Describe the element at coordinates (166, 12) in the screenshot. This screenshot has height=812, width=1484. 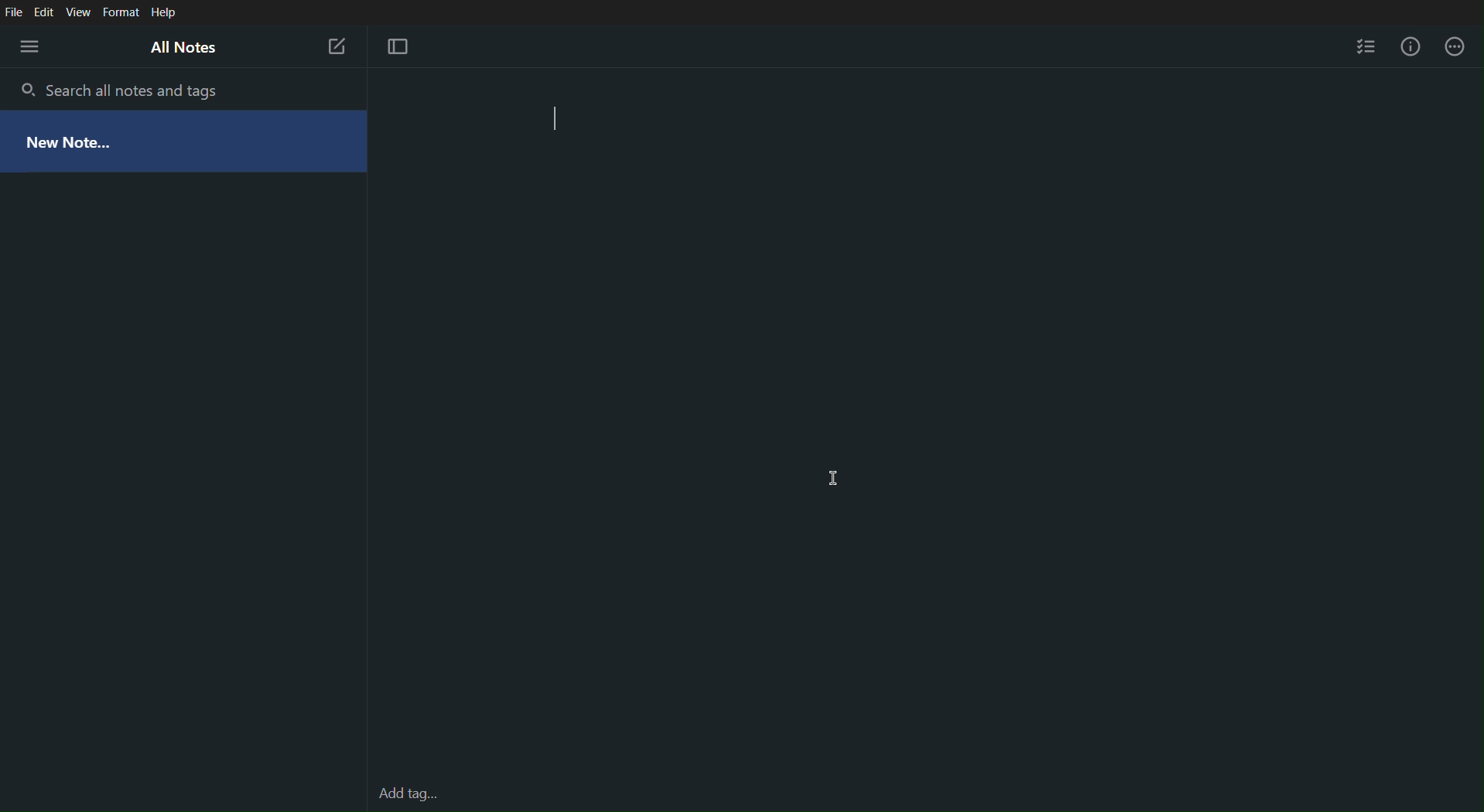
I see `Help` at that location.